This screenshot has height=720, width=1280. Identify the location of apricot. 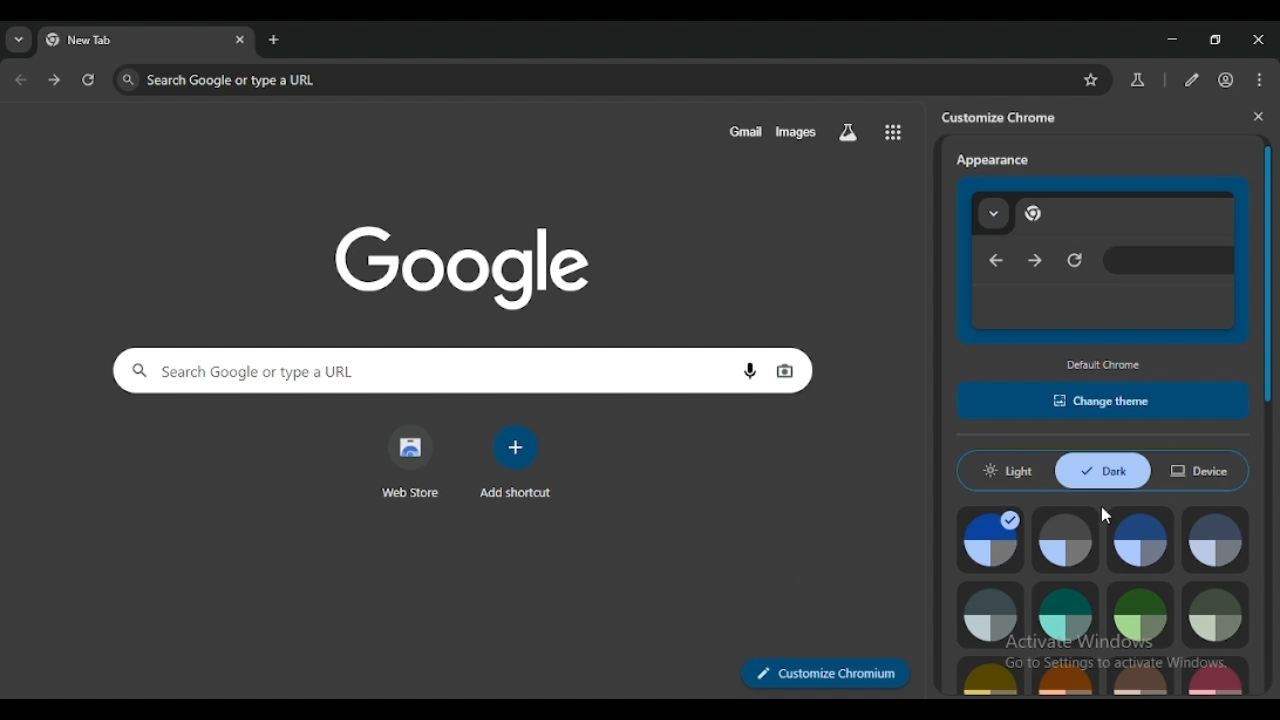
(1141, 678).